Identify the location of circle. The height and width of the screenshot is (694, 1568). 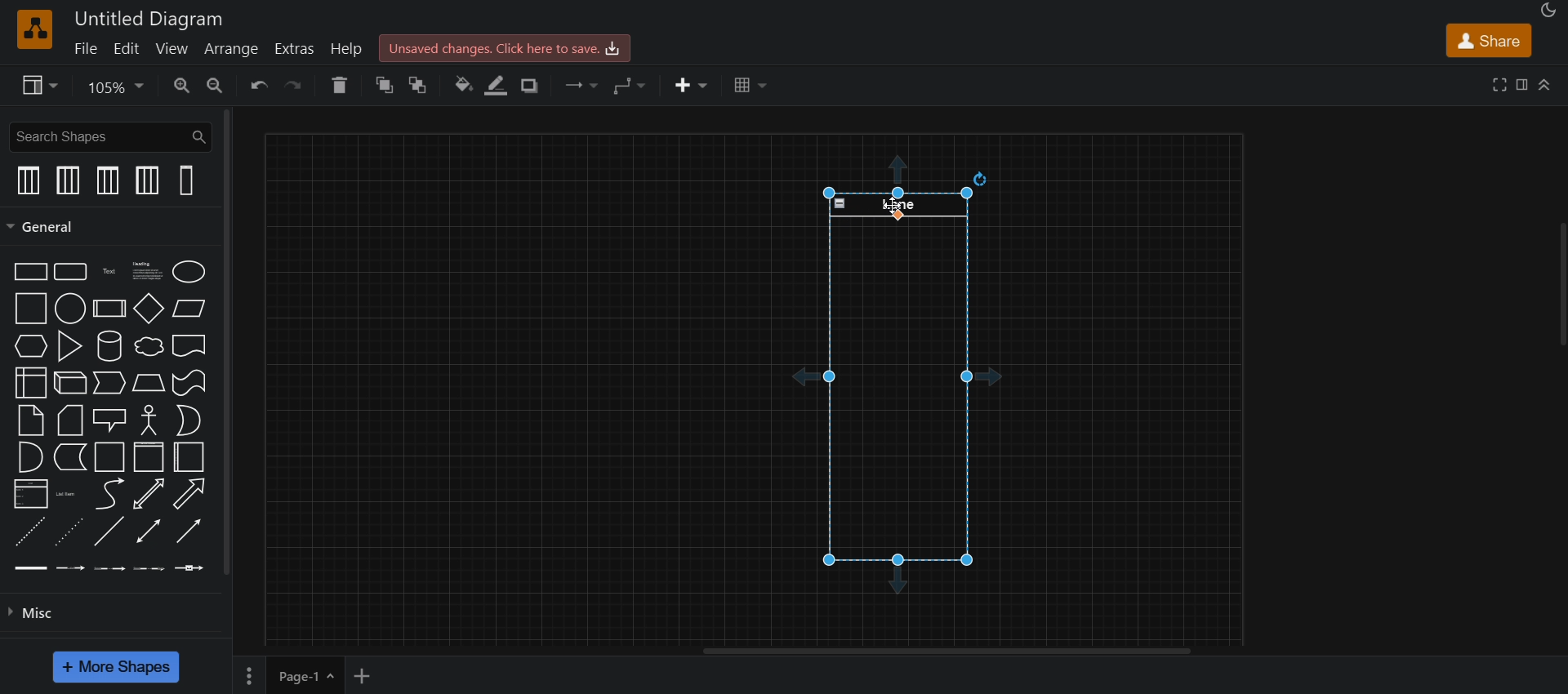
(70, 309).